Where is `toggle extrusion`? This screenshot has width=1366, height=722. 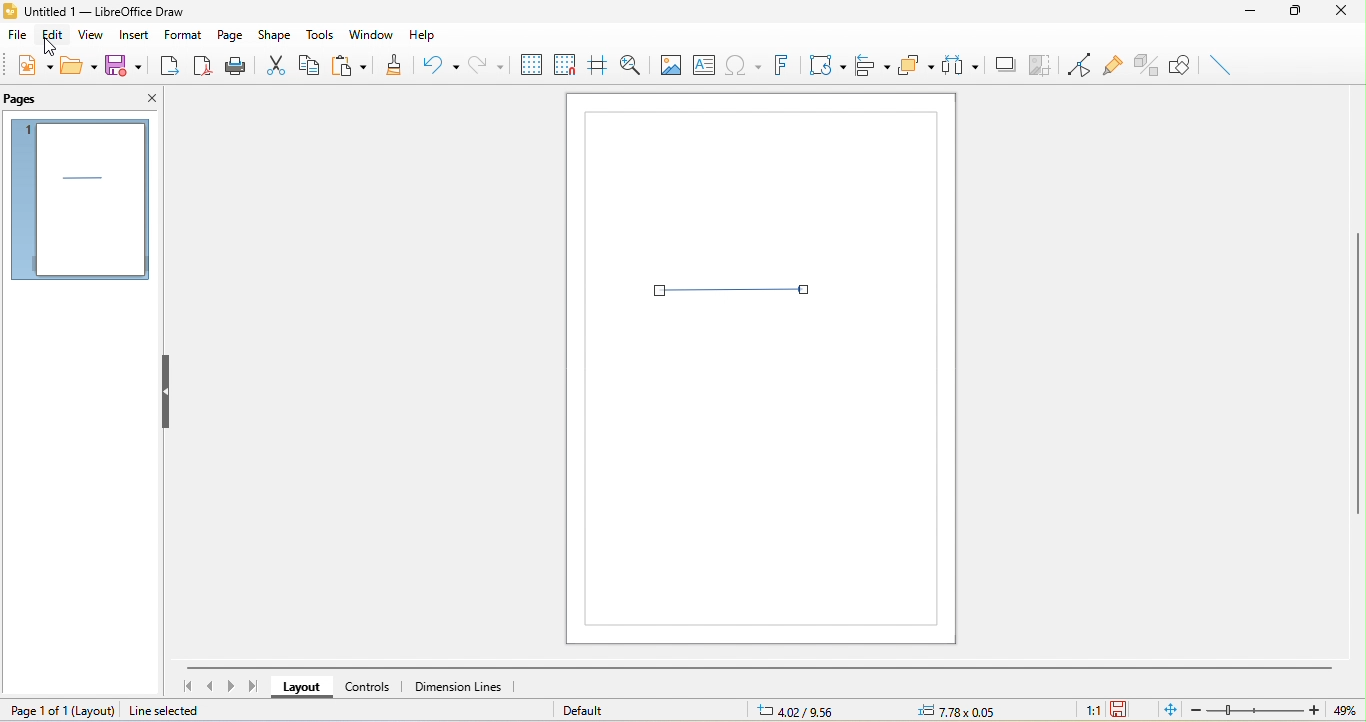 toggle extrusion is located at coordinates (1146, 65).